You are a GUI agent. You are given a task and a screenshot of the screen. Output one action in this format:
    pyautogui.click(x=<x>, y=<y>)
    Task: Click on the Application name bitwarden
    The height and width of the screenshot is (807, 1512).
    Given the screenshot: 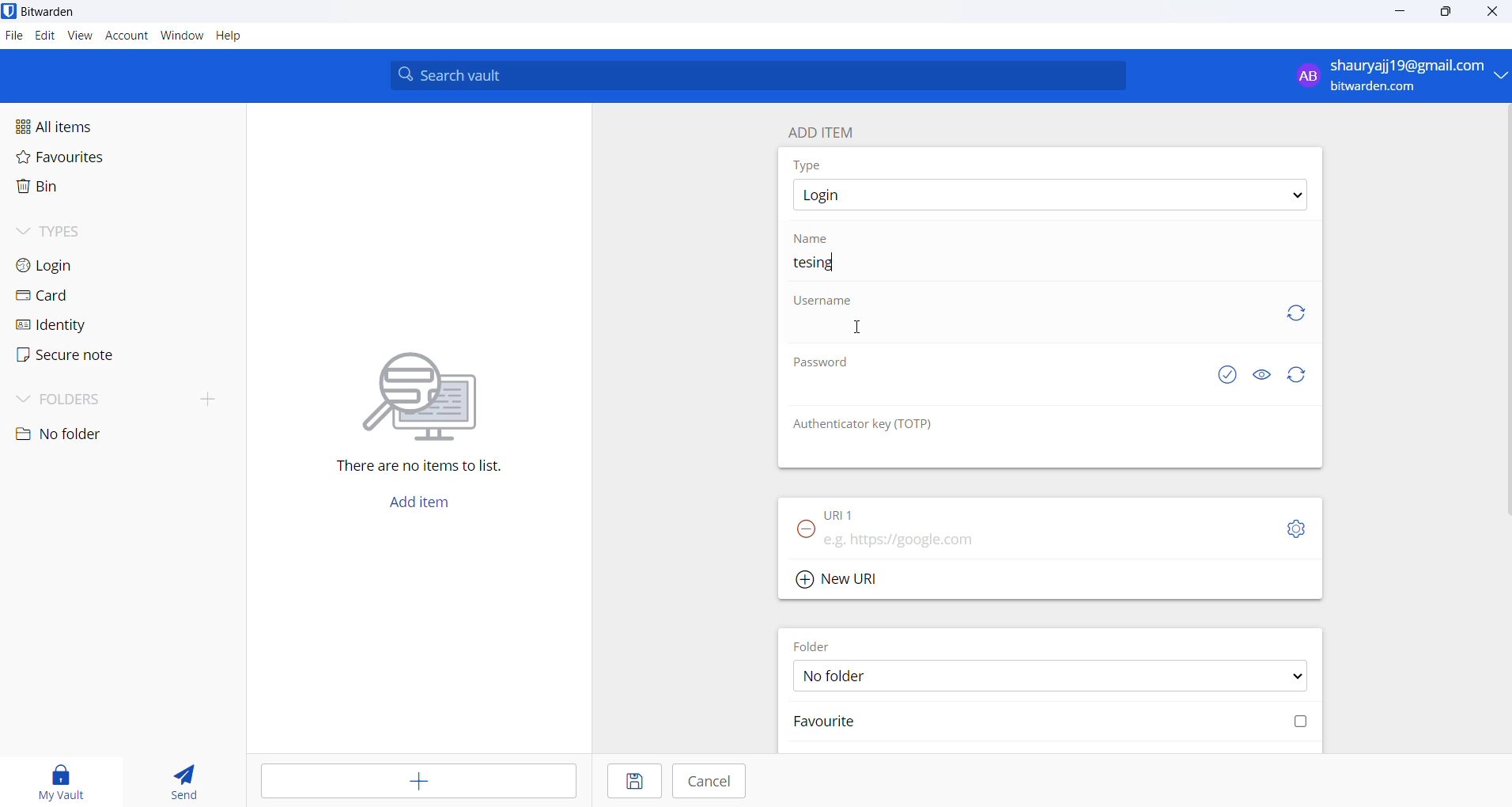 What is the action you would take?
    pyautogui.click(x=54, y=12)
    